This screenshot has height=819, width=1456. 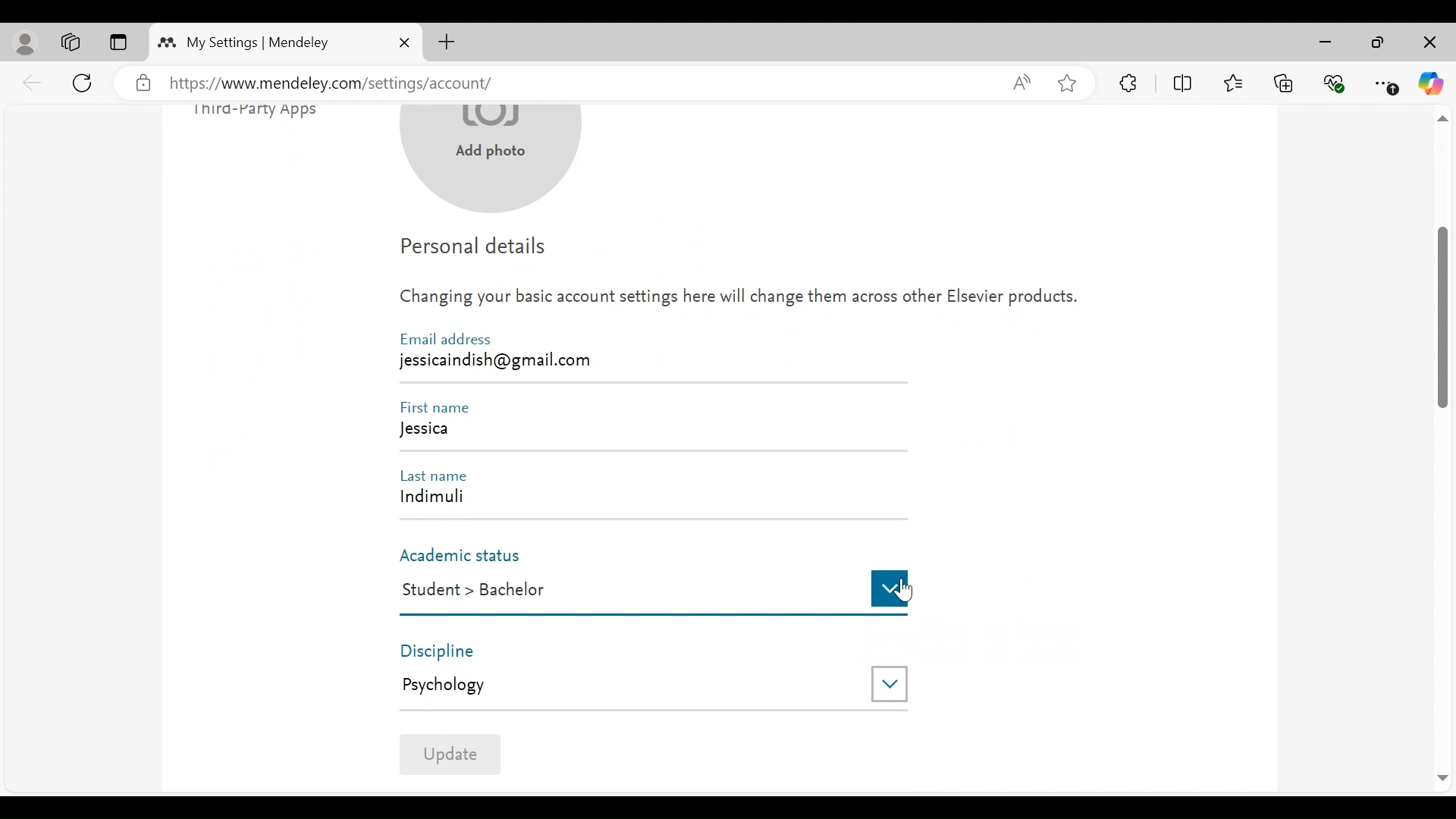 I want to click on Tab Actions Menu, so click(x=118, y=43).